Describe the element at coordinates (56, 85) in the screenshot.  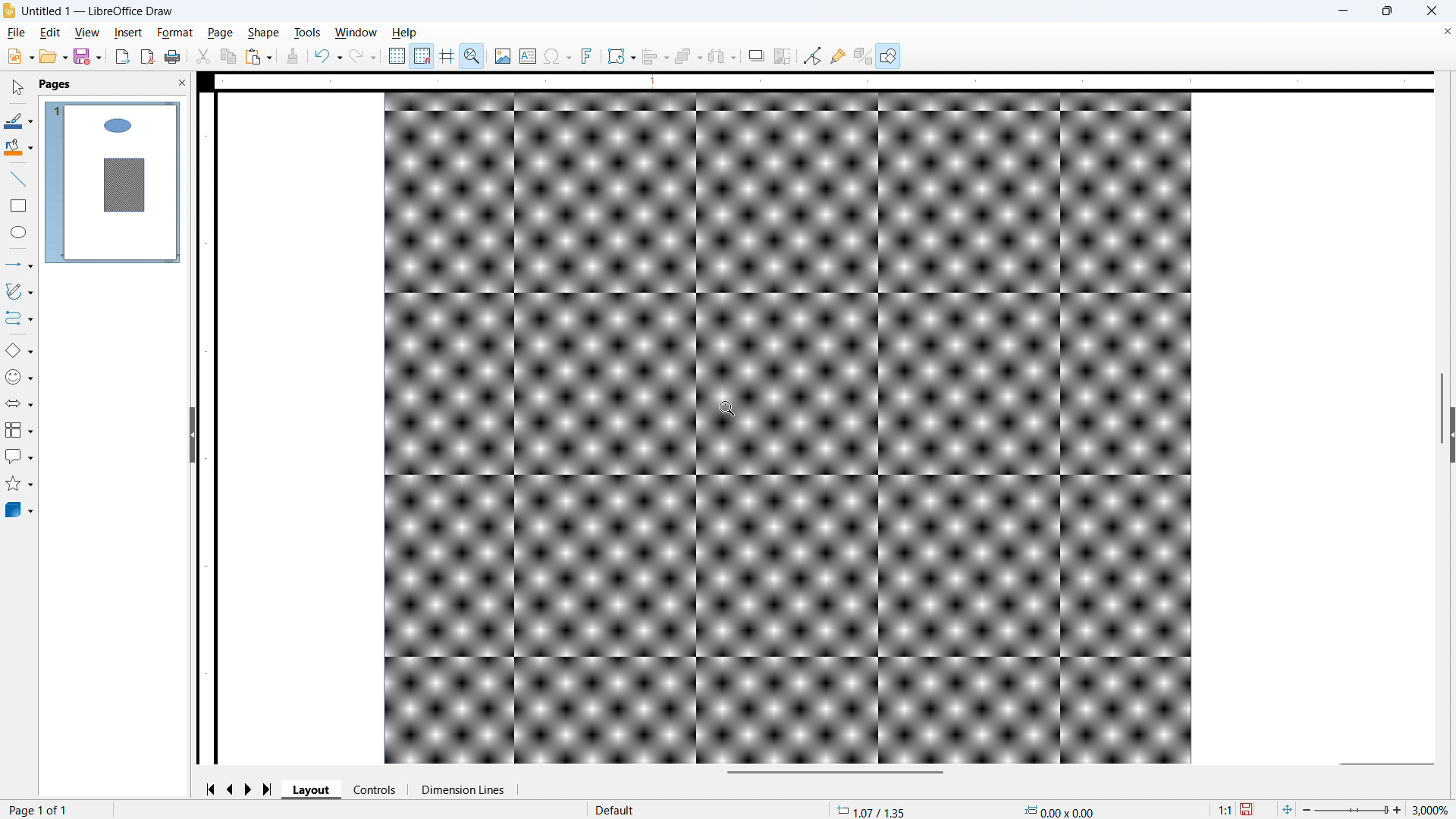
I see `pages ` at that location.